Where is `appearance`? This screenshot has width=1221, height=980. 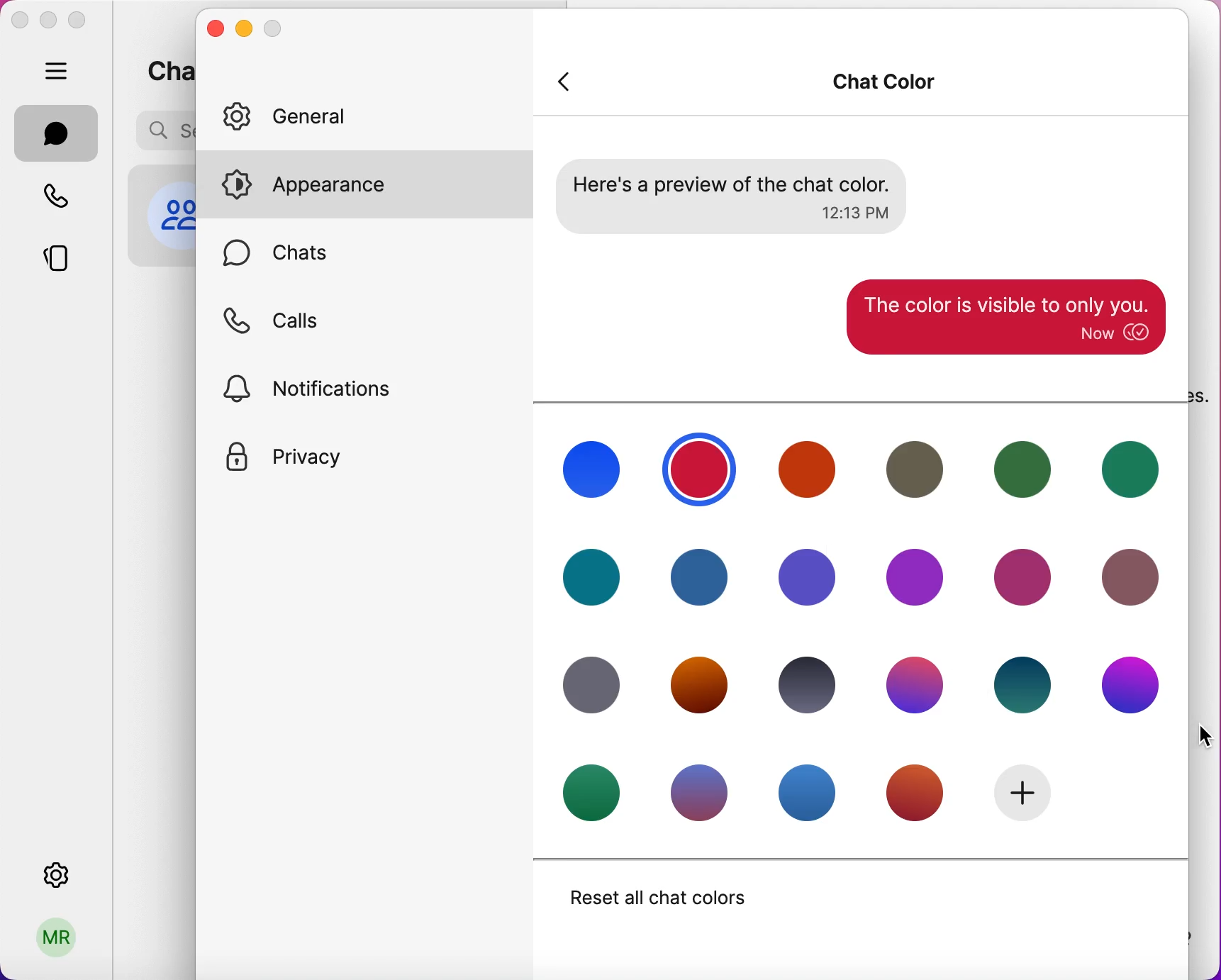
appearance is located at coordinates (377, 187).